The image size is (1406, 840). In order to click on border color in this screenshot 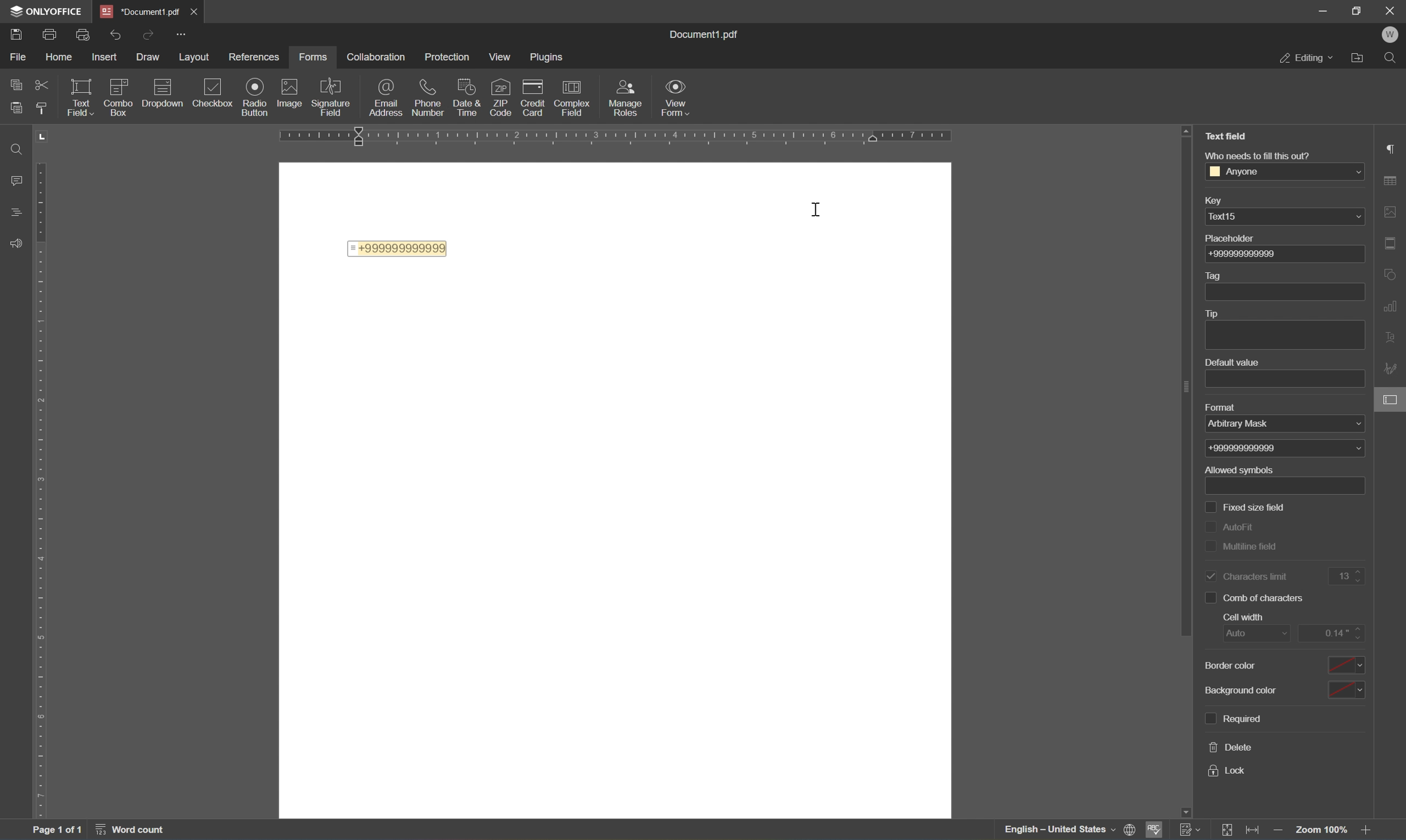, I will do `click(1281, 666)`.